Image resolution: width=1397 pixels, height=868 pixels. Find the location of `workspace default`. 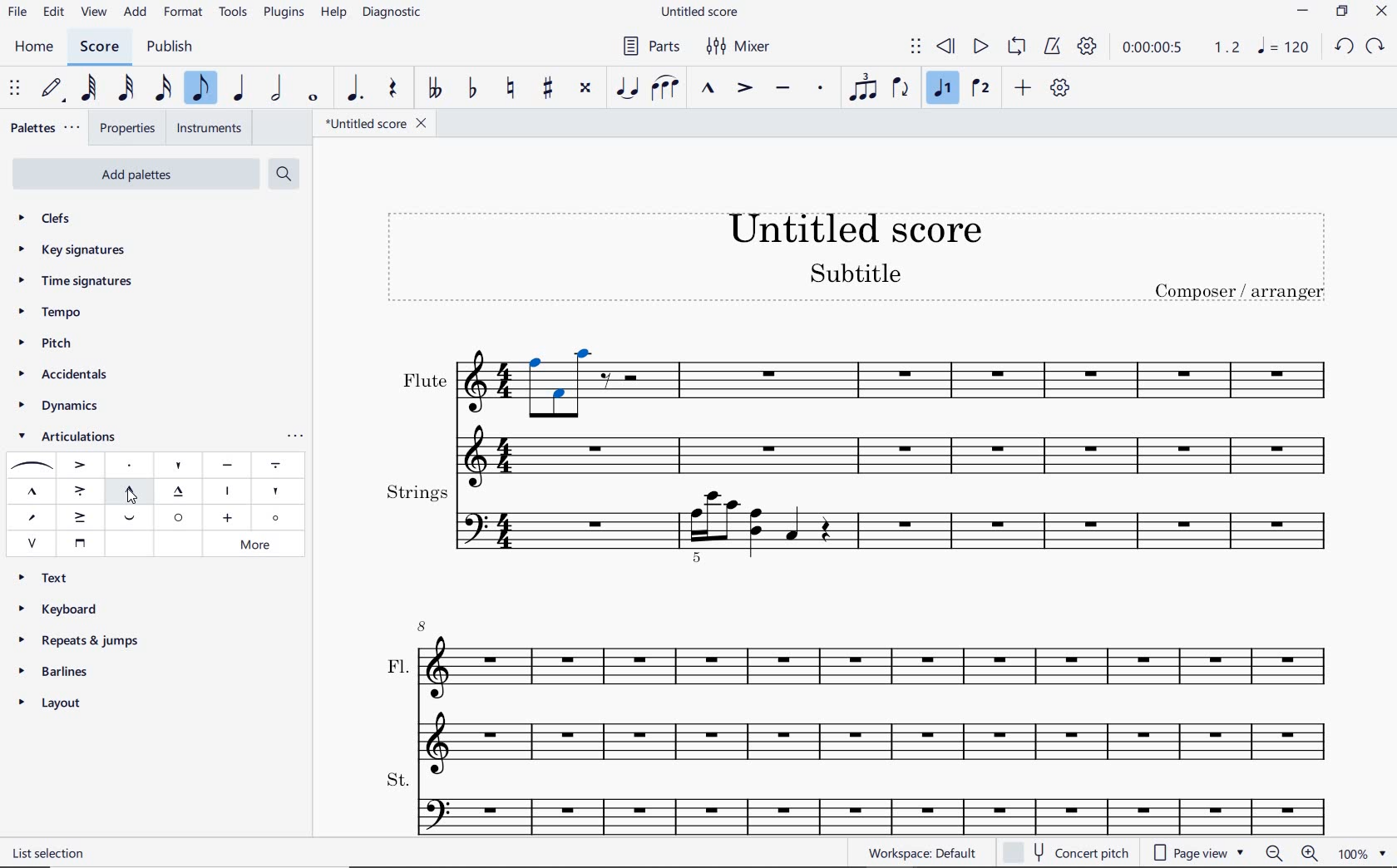

workspace default is located at coordinates (922, 853).